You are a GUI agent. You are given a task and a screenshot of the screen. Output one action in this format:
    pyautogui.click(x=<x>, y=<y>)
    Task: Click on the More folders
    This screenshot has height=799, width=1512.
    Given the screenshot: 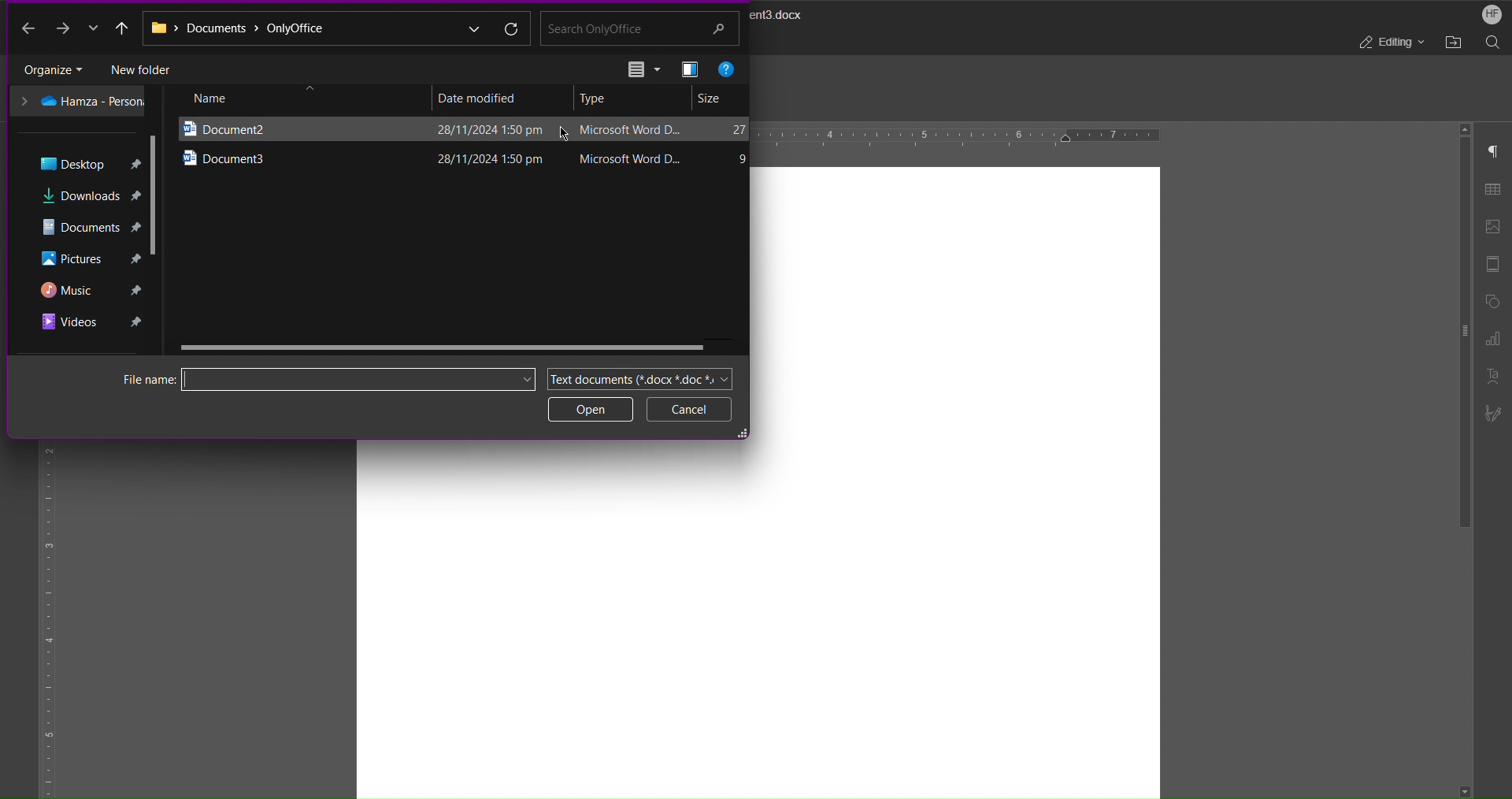 What is the action you would take?
    pyautogui.click(x=472, y=26)
    